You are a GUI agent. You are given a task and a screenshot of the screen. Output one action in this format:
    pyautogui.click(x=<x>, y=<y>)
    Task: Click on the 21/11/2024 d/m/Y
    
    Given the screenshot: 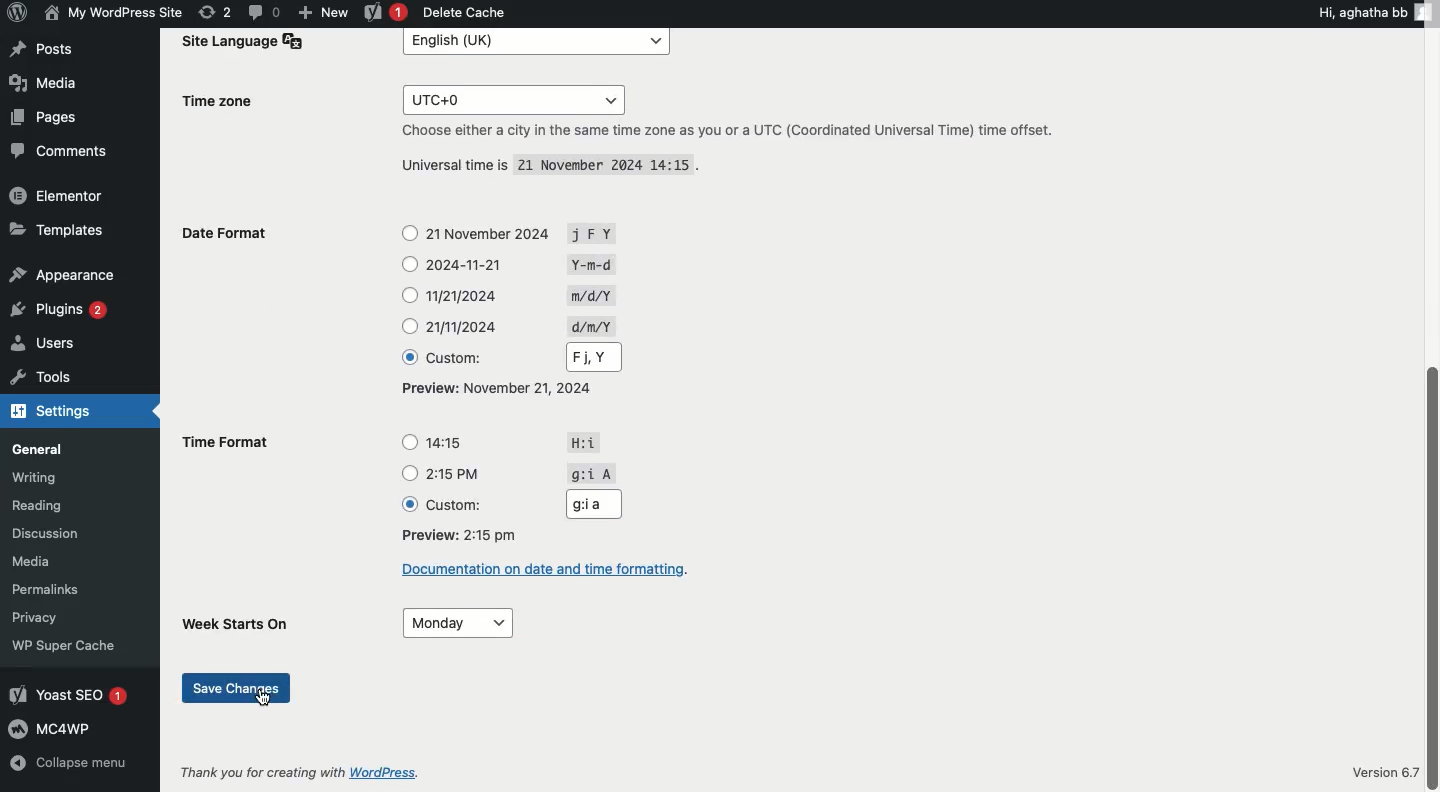 What is the action you would take?
    pyautogui.click(x=523, y=326)
    